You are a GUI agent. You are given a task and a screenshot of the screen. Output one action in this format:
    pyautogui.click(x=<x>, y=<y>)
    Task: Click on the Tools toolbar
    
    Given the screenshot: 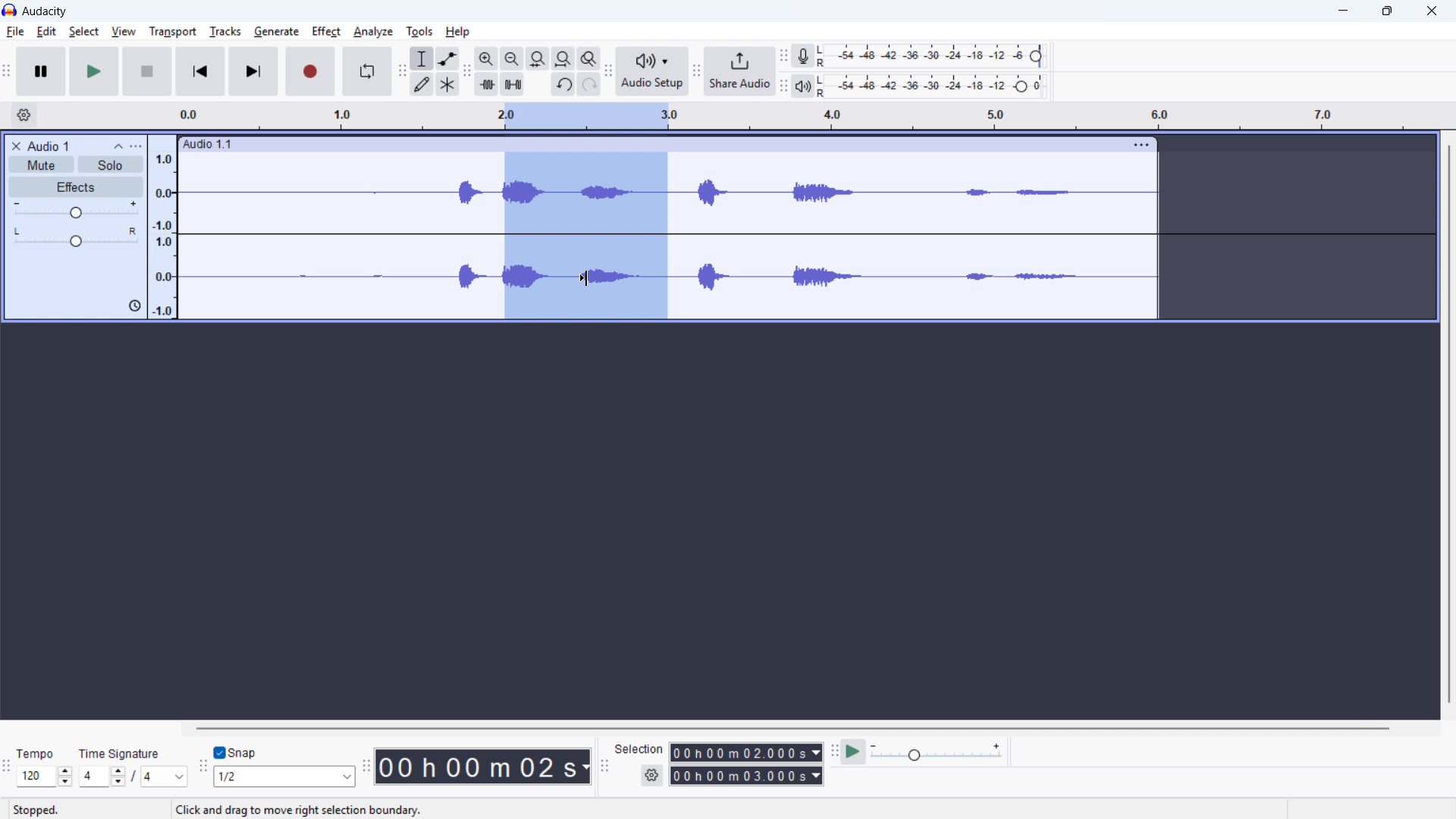 What is the action you would take?
    pyautogui.click(x=403, y=72)
    